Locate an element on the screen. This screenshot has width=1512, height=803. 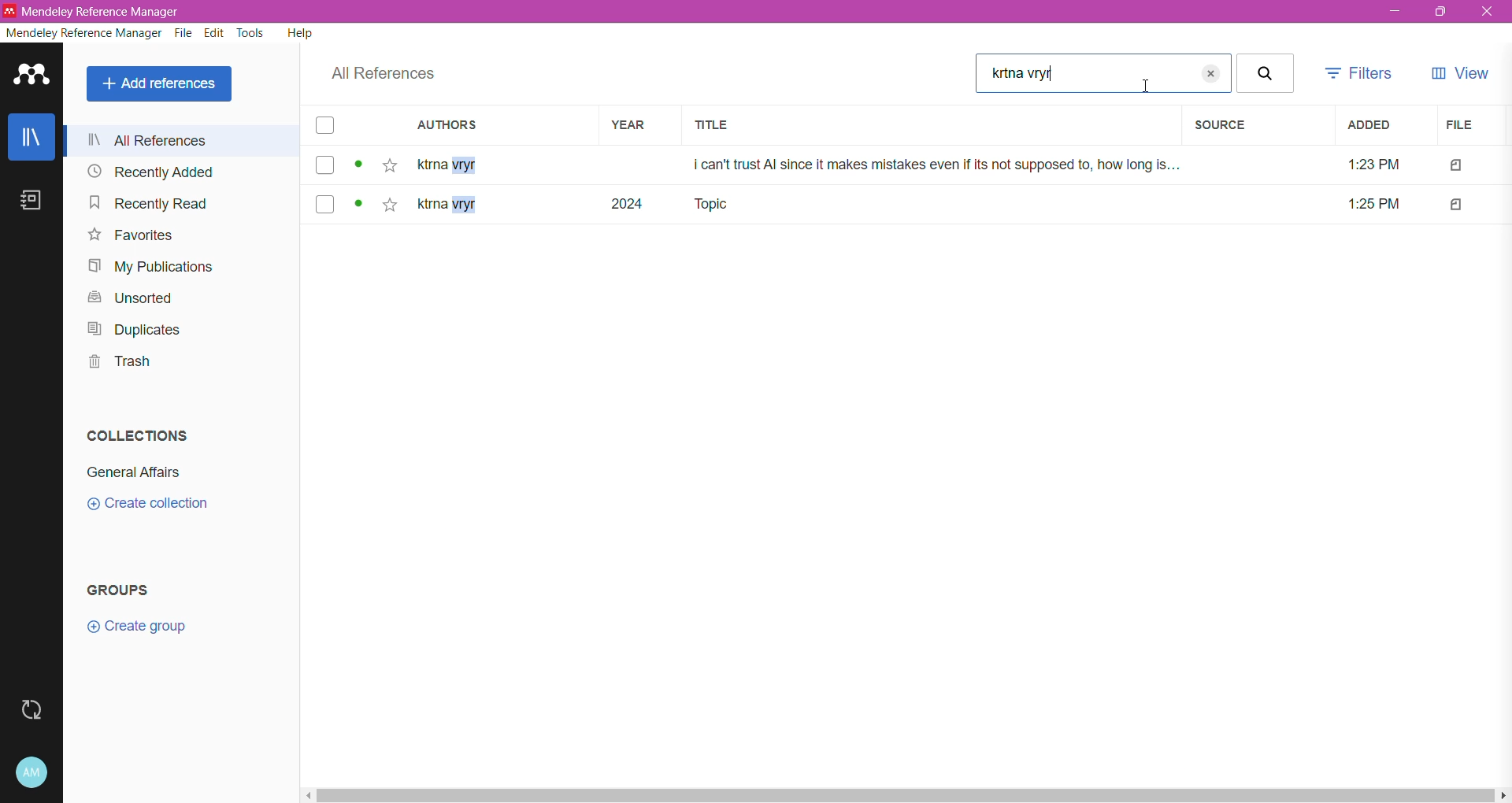
File is located at coordinates (1463, 126).